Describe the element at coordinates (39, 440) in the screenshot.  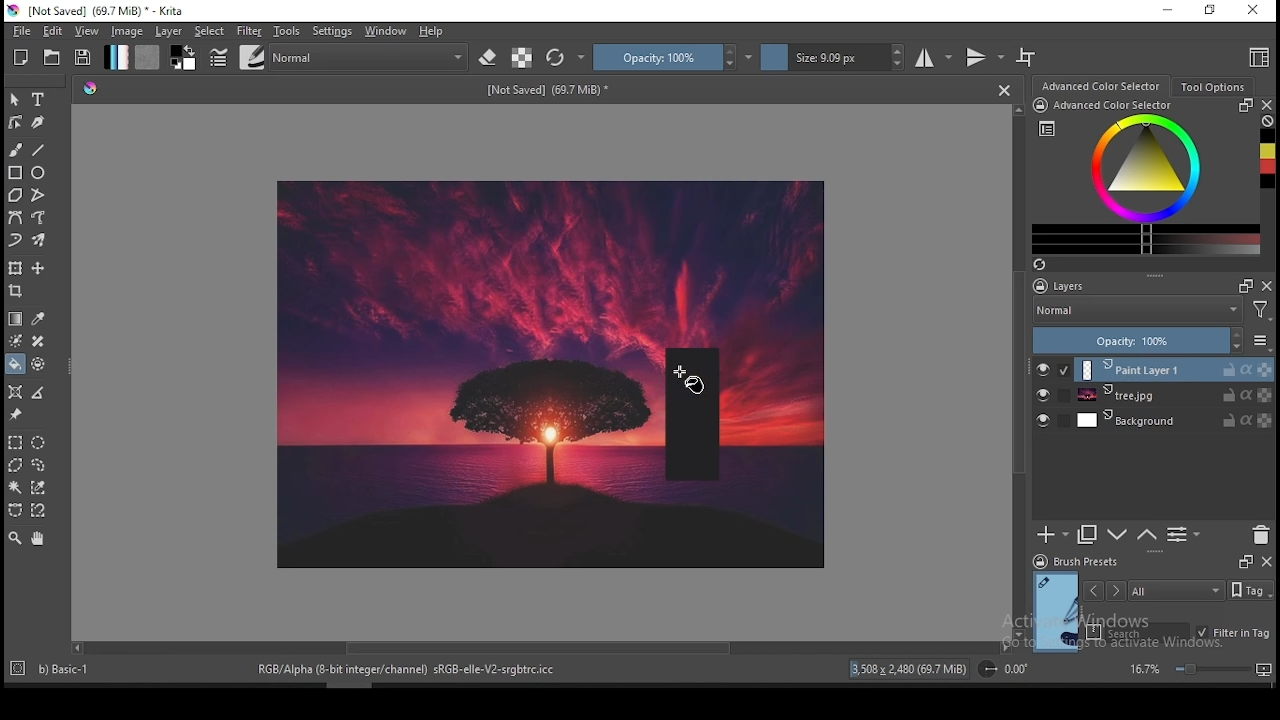
I see `elliptical selection tool` at that location.